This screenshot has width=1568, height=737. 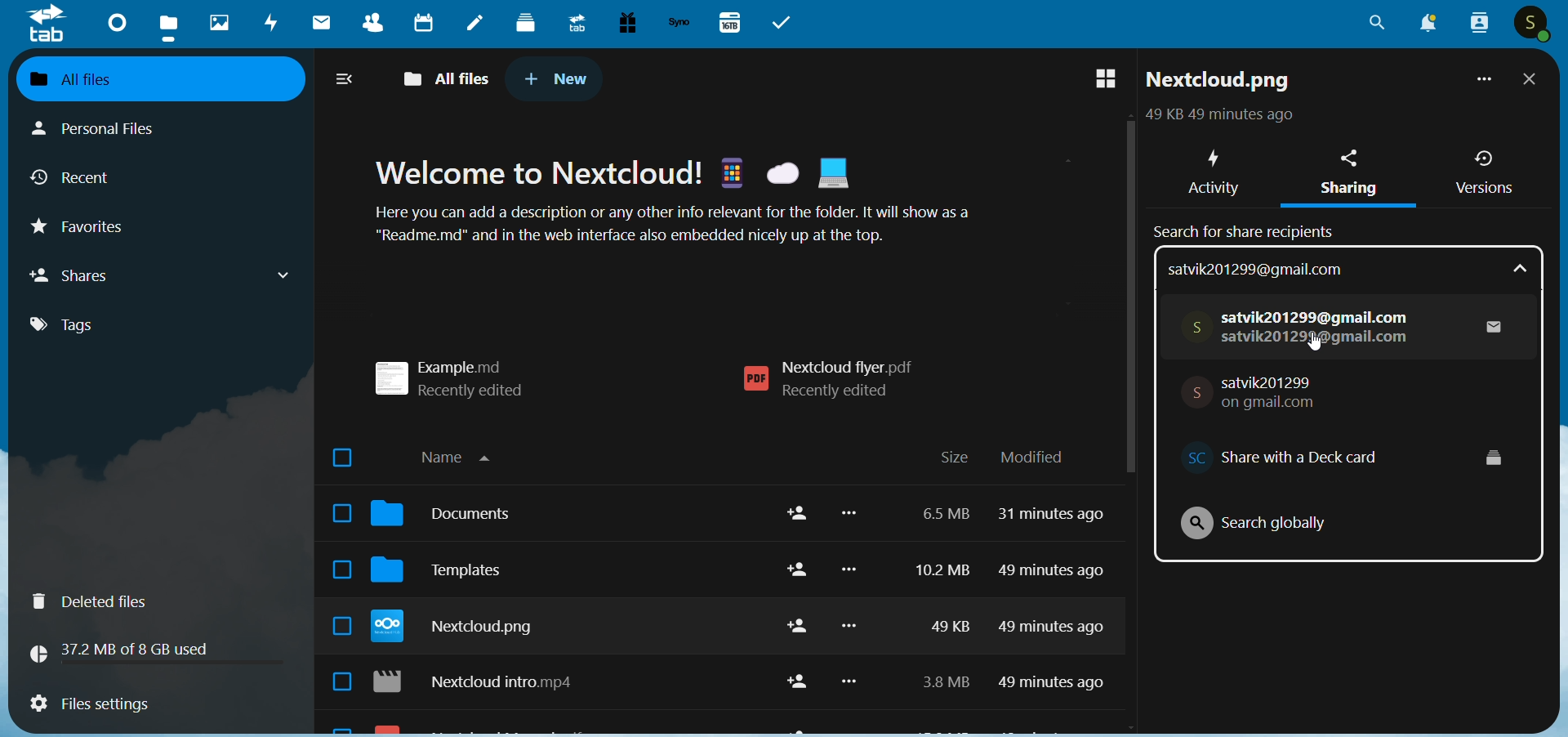 I want to click on user, so click(x=1534, y=25).